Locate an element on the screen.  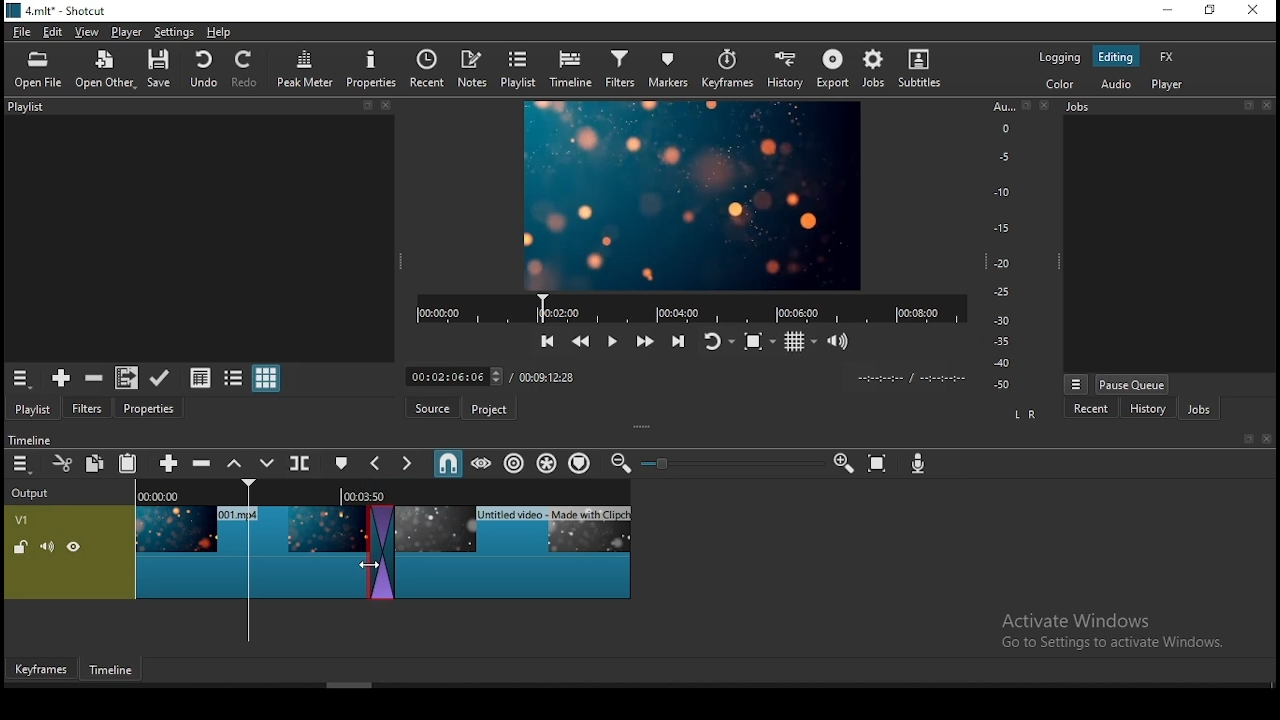
color is located at coordinates (1059, 86).